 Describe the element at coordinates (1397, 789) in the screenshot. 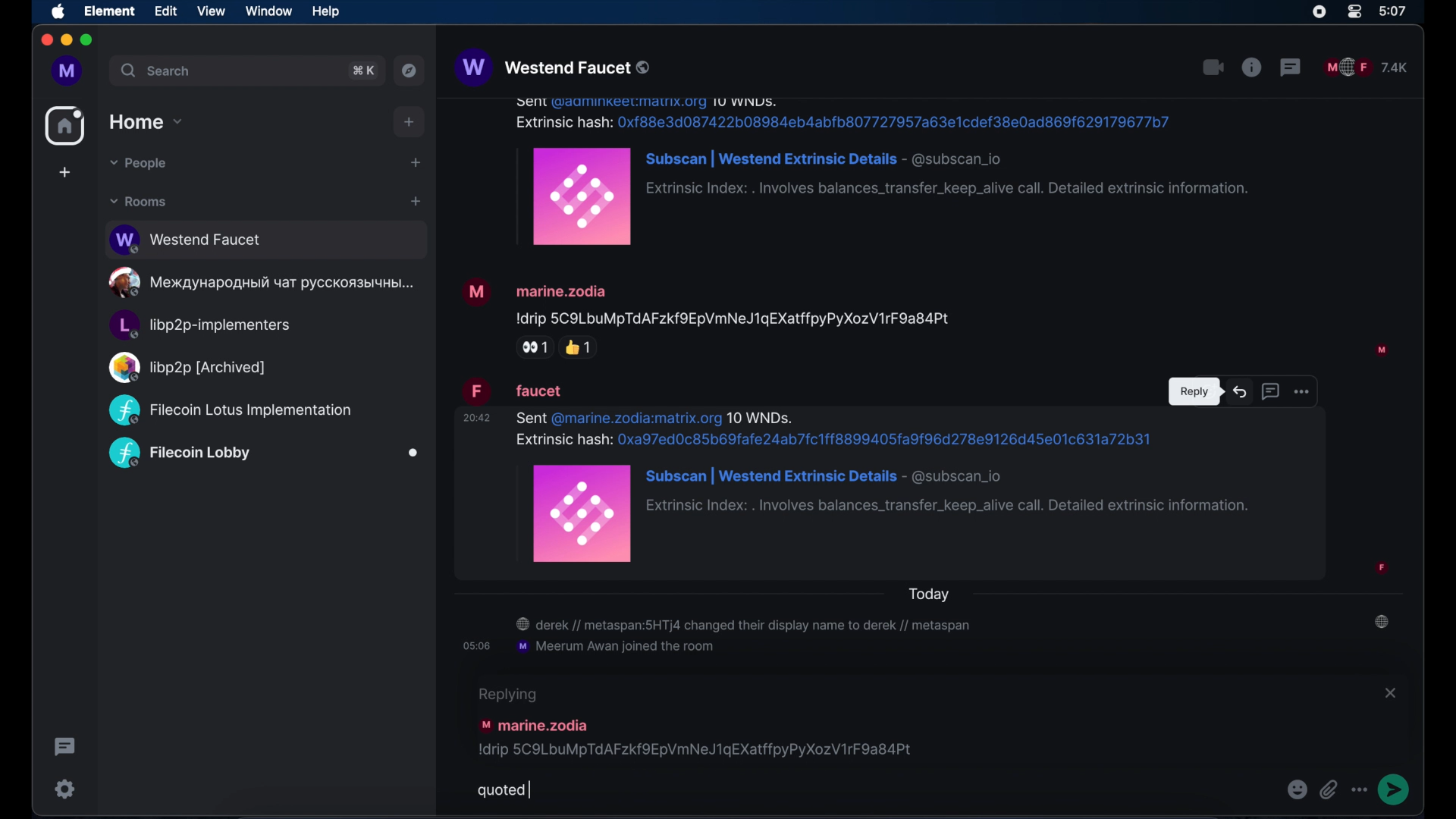

I see `send message` at that location.